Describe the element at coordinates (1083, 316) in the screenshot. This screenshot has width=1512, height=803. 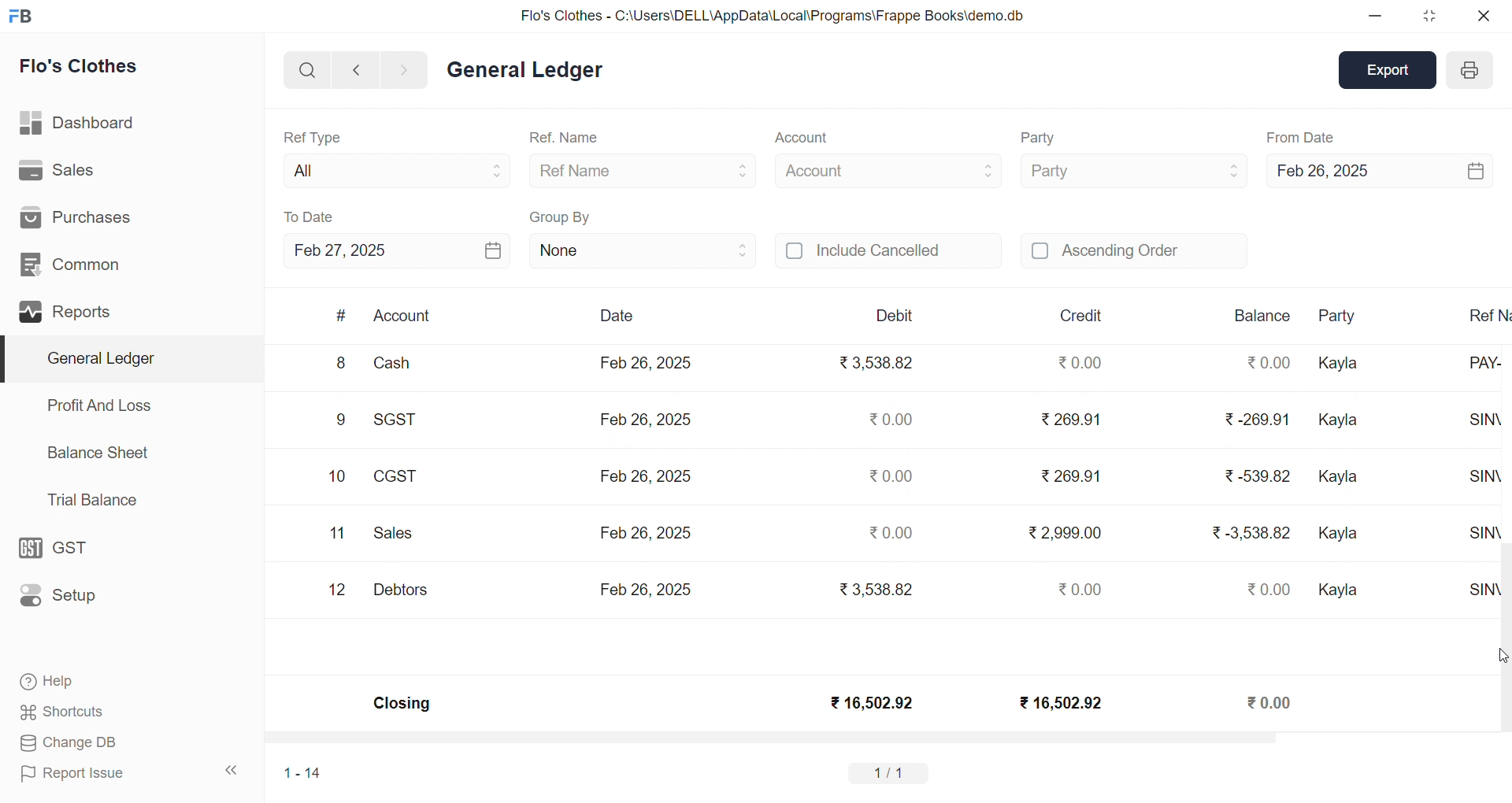
I see `Credit` at that location.